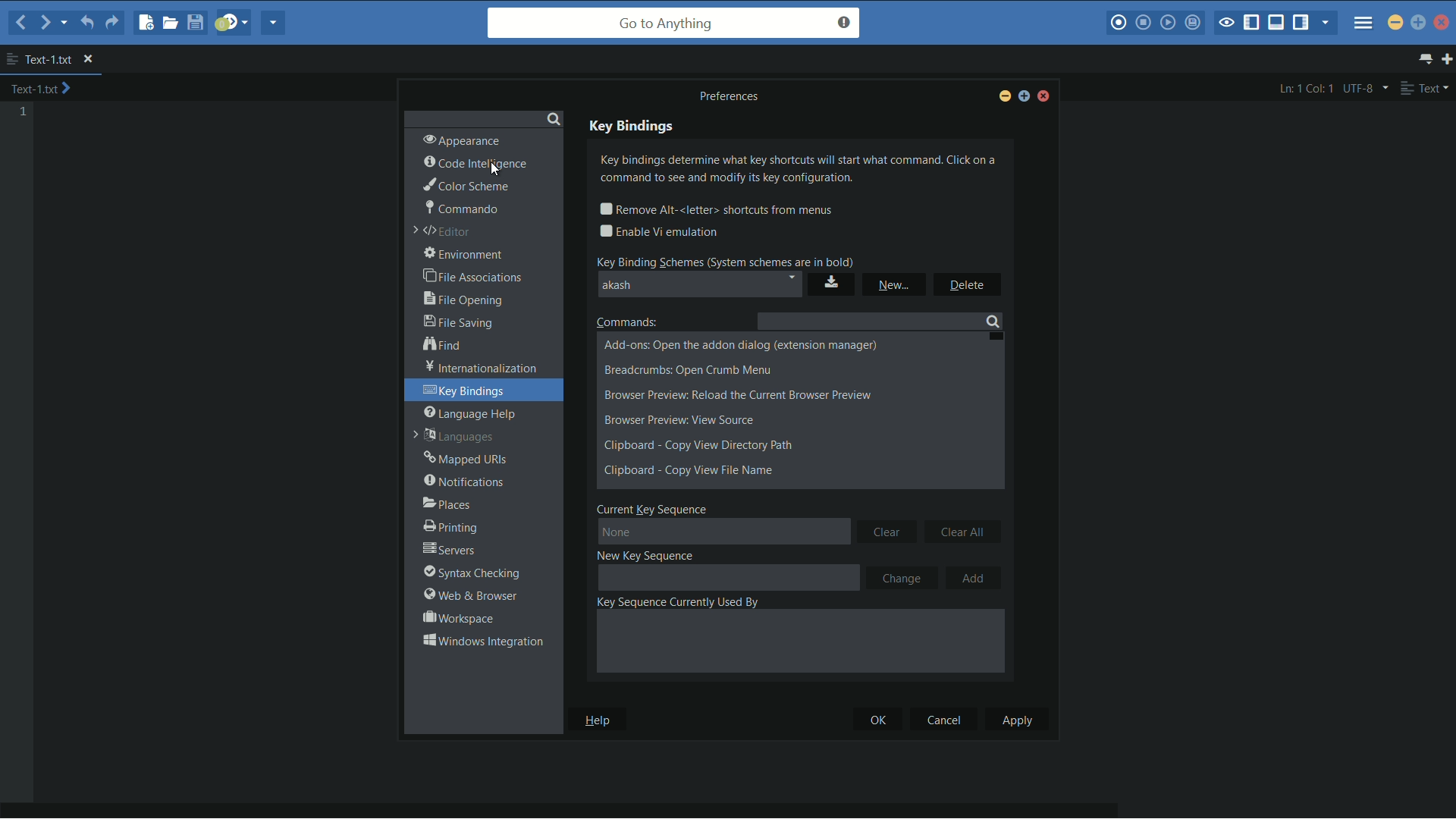 This screenshot has height=819, width=1456. What do you see at coordinates (197, 22) in the screenshot?
I see `save file` at bounding box center [197, 22].